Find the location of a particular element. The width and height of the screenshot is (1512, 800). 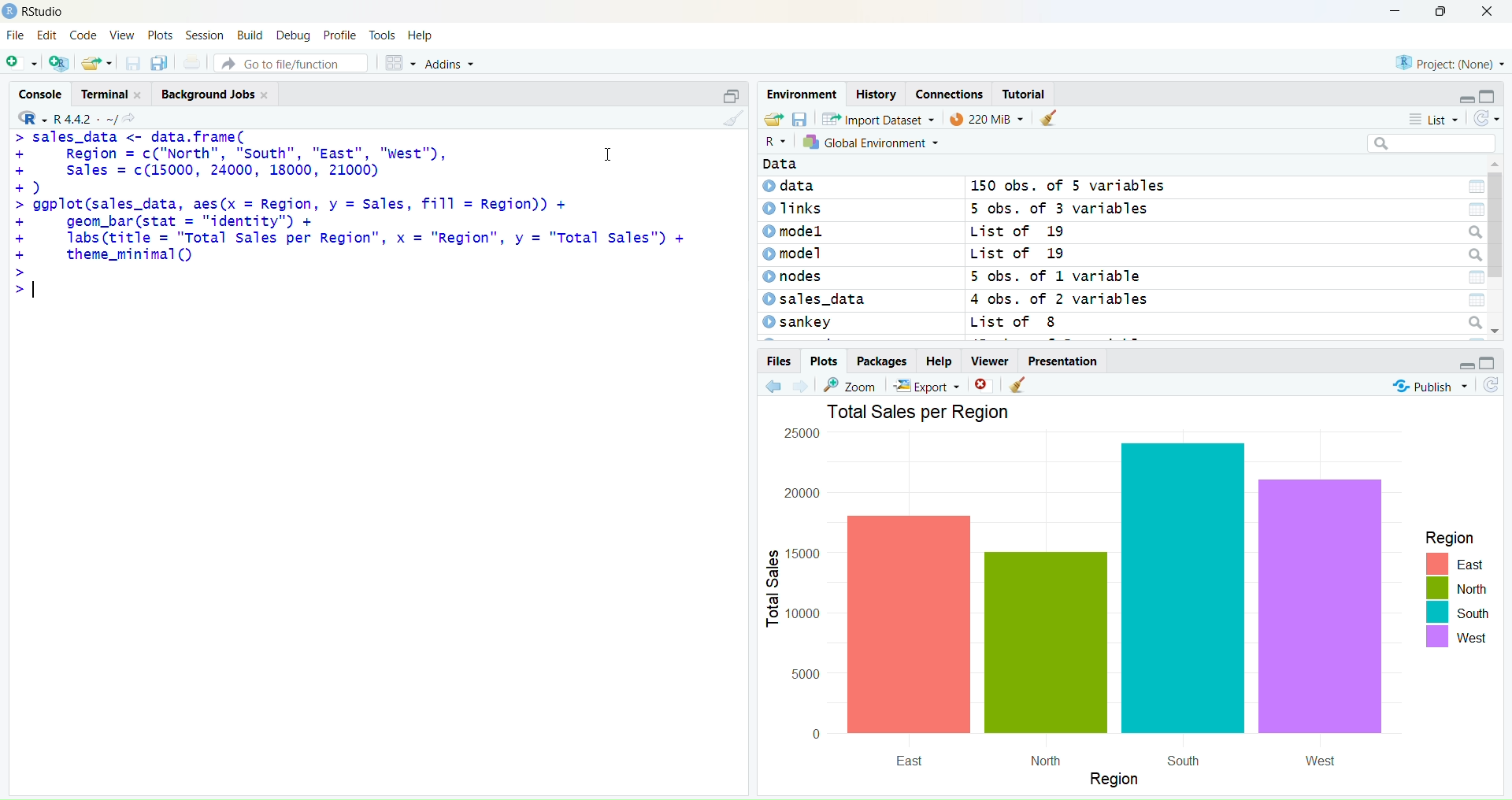

clear is located at coordinates (730, 121).